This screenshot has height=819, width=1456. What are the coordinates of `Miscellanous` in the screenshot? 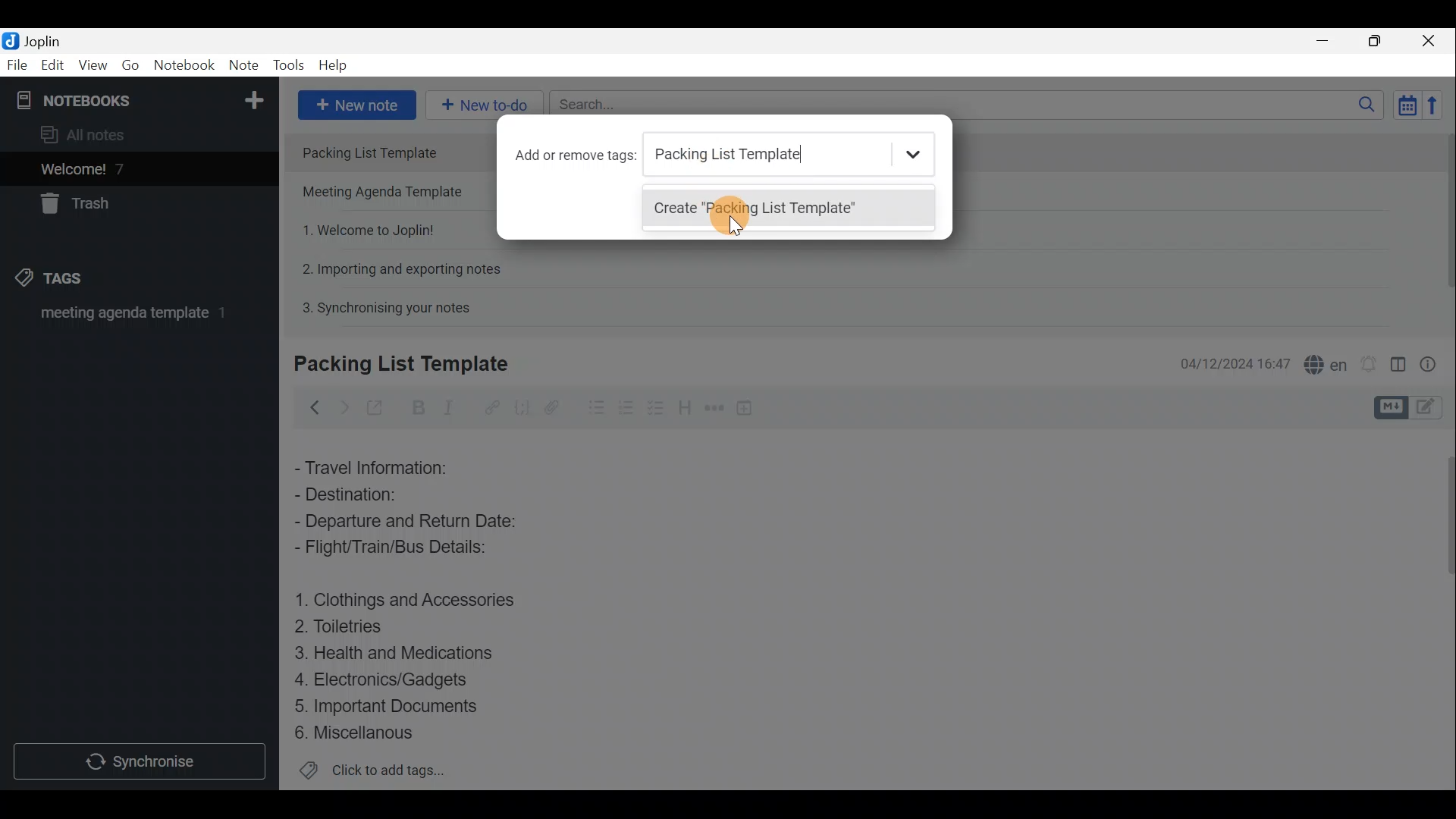 It's located at (356, 733).